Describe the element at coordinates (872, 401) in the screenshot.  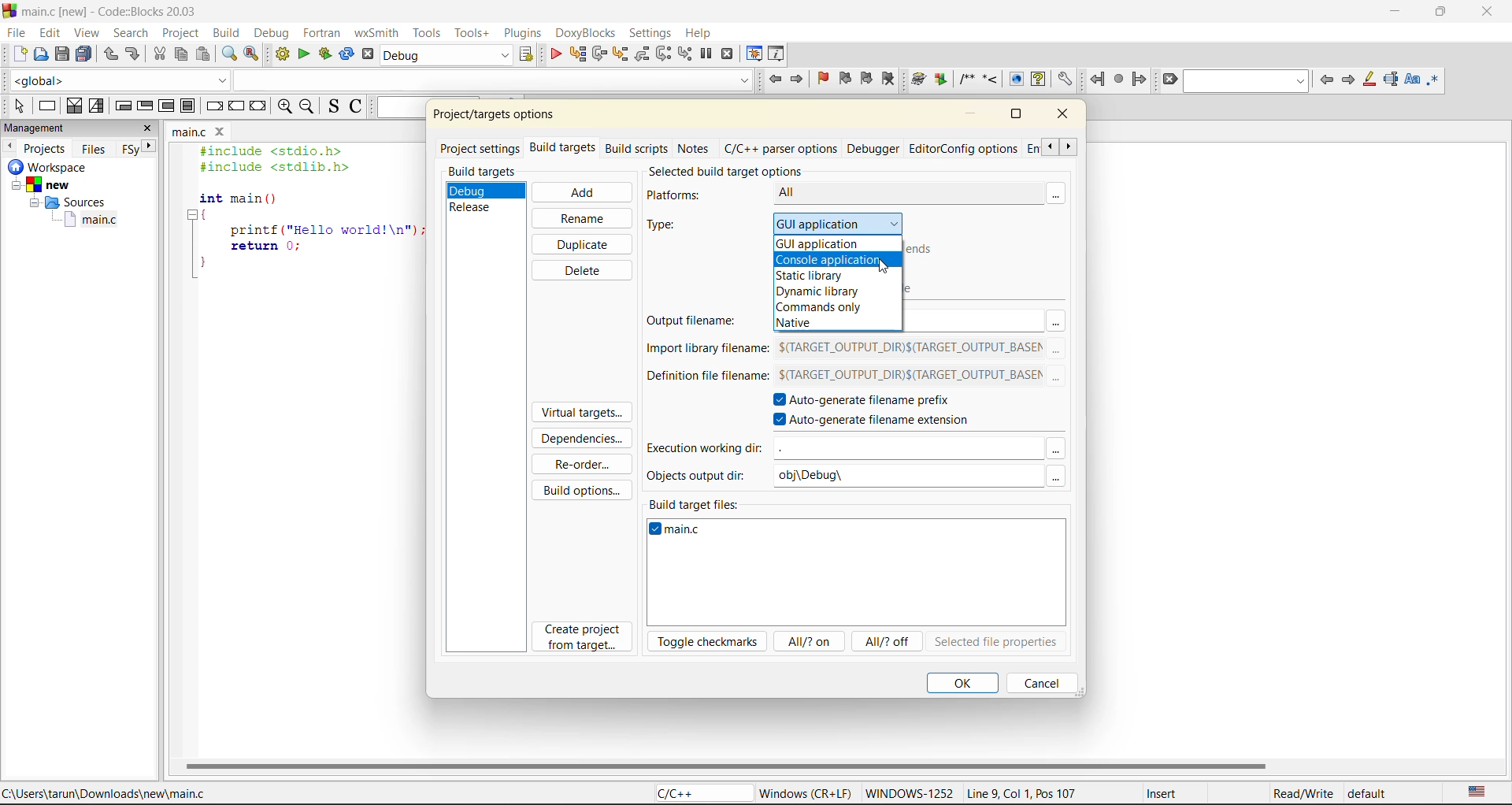
I see `autogenerate filename prefix` at that location.